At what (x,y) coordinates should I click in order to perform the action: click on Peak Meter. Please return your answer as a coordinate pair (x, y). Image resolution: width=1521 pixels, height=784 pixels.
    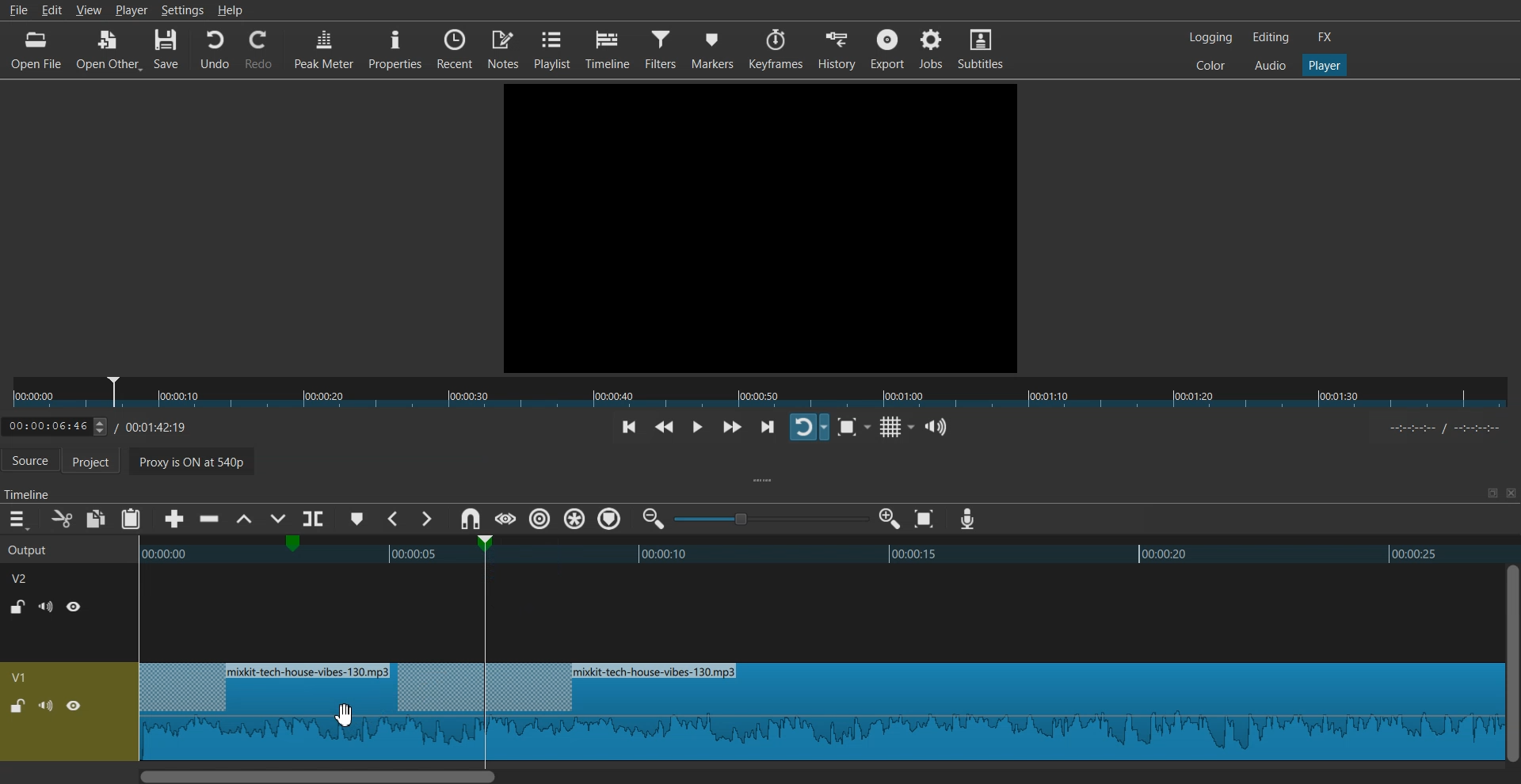
    Looking at the image, I should click on (324, 48).